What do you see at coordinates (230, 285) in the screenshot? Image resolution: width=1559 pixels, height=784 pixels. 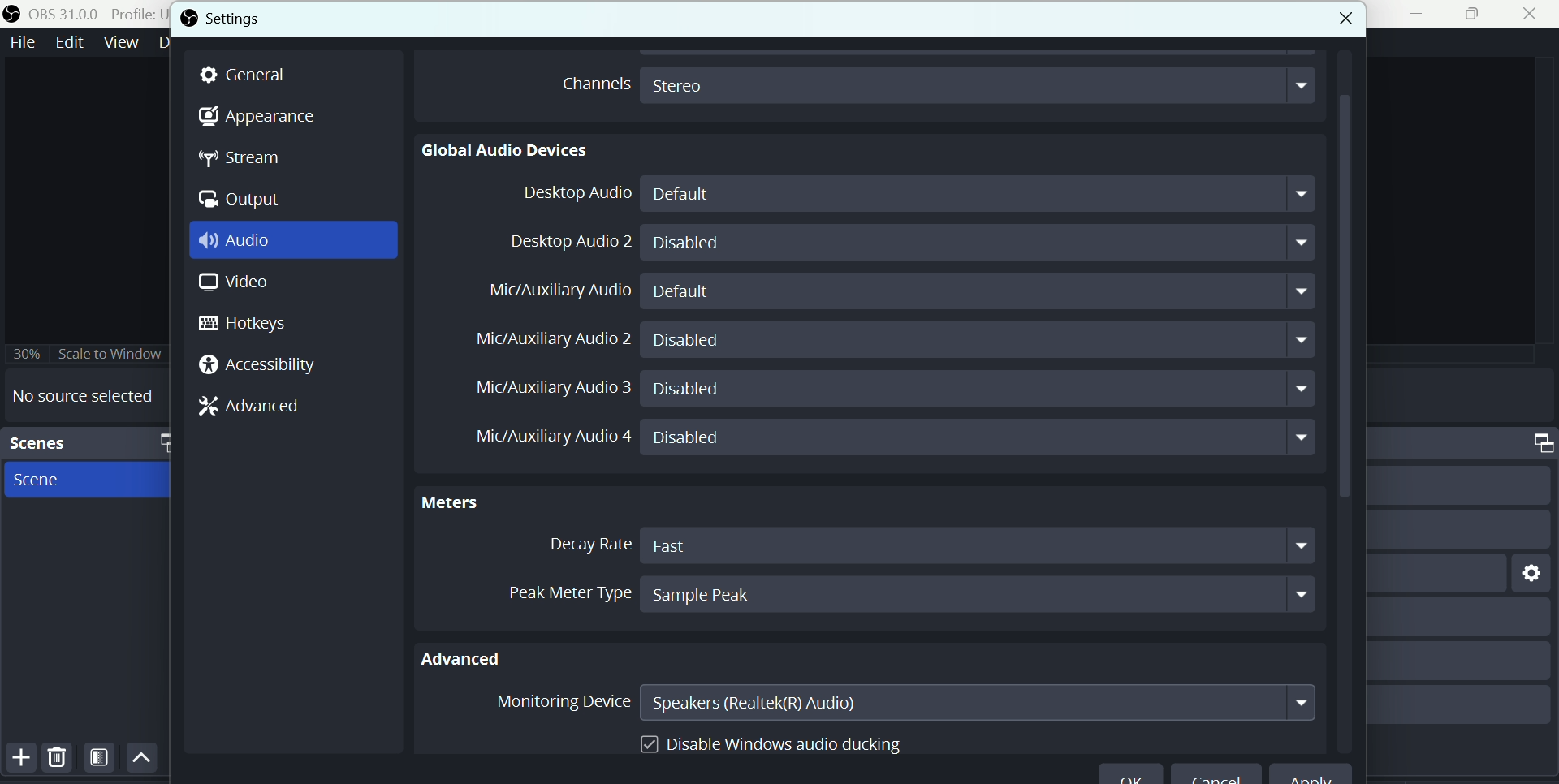 I see `Video` at bounding box center [230, 285].